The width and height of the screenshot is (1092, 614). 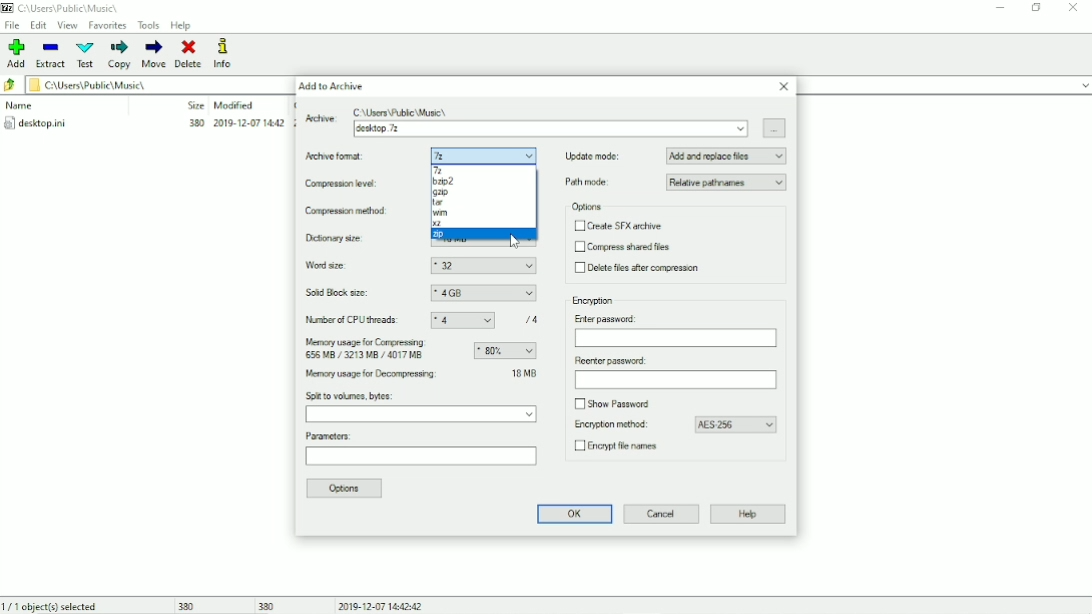 I want to click on Copy, so click(x=120, y=54).